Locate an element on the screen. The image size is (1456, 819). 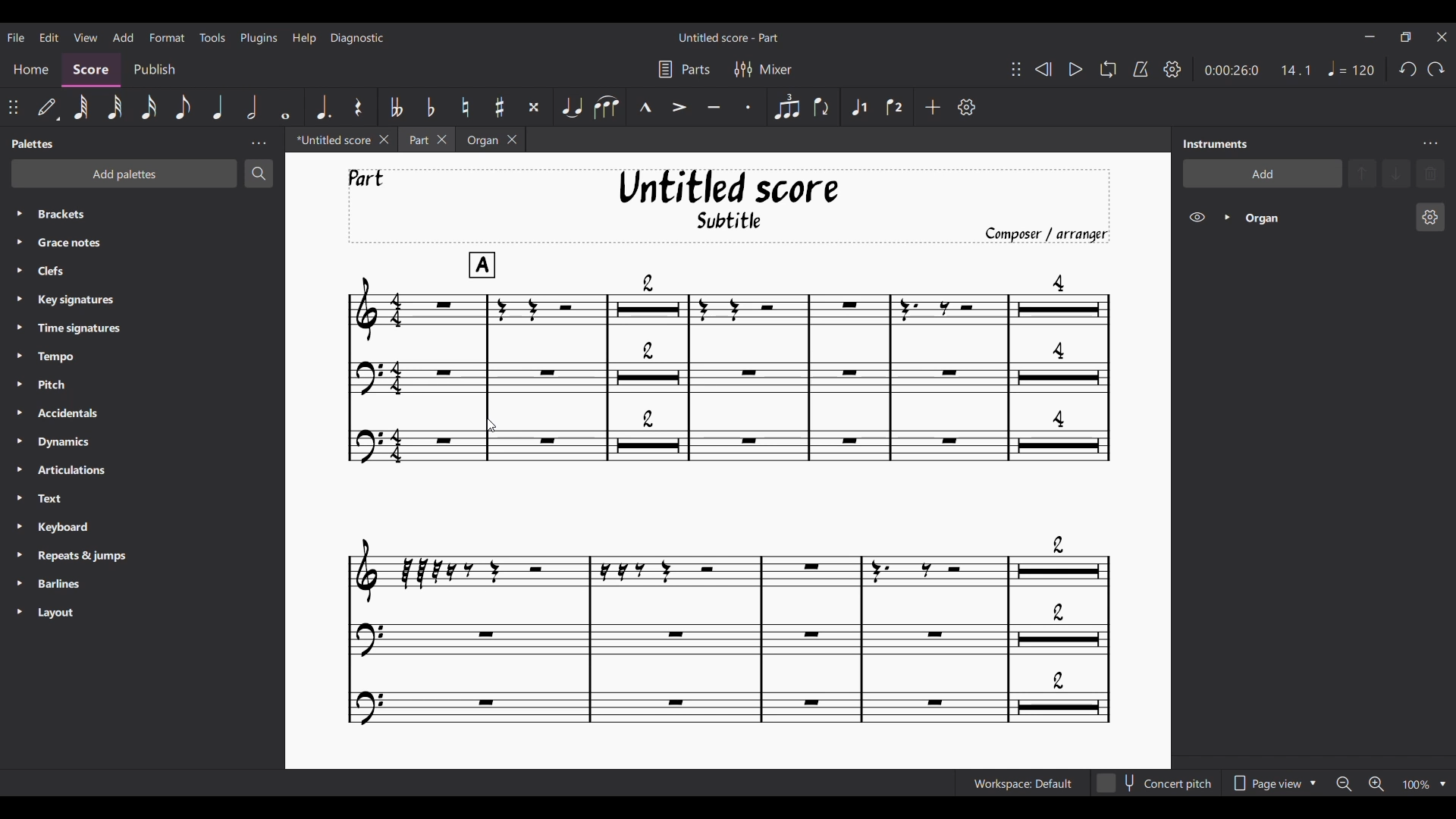
Flip direction is located at coordinates (822, 107).